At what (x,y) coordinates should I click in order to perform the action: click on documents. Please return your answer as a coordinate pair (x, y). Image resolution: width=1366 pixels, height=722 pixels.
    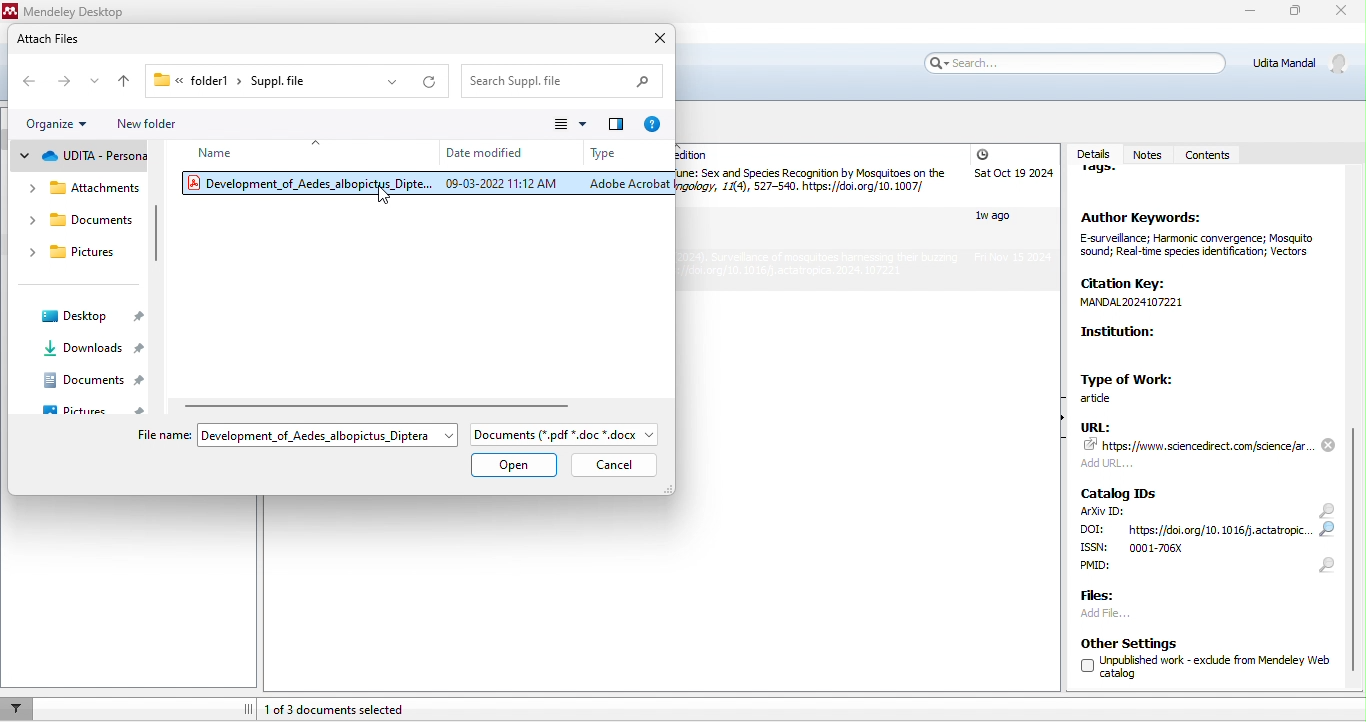
    Looking at the image, I should click on (74, 217).